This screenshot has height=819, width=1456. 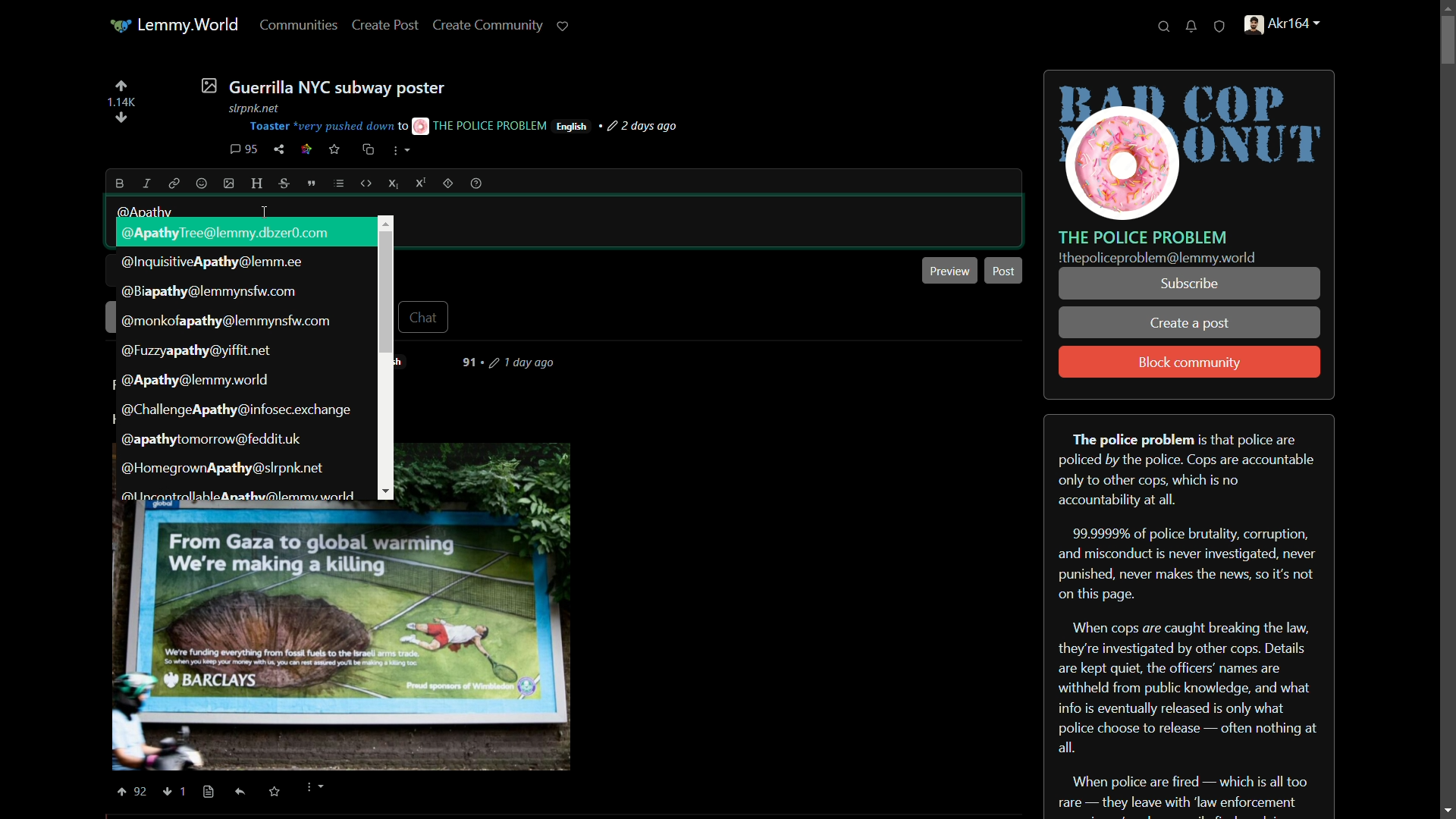 I want to click on header, so click(x=258, y=184).